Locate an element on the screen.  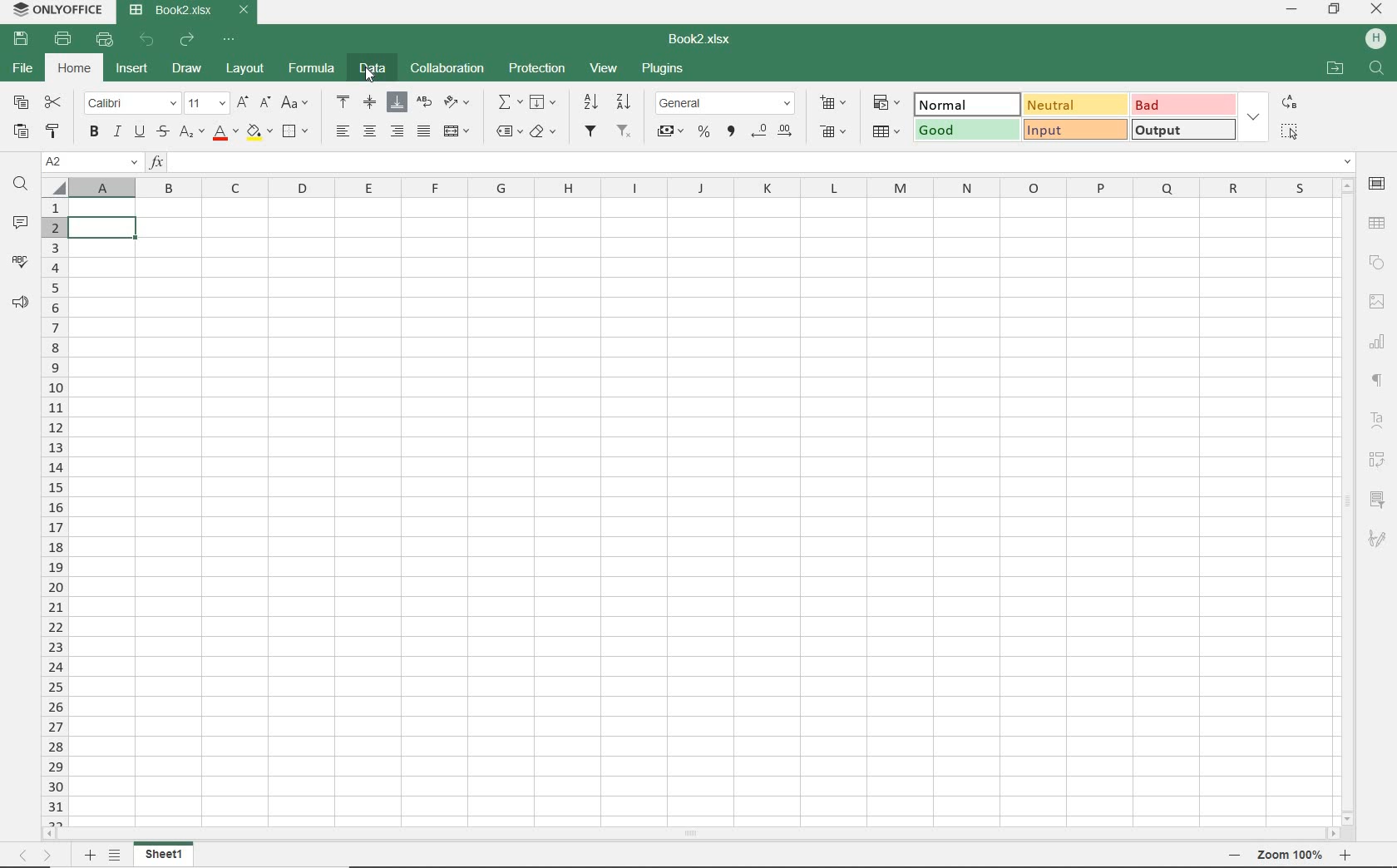
BAD is located at coordinates (1183, 105).